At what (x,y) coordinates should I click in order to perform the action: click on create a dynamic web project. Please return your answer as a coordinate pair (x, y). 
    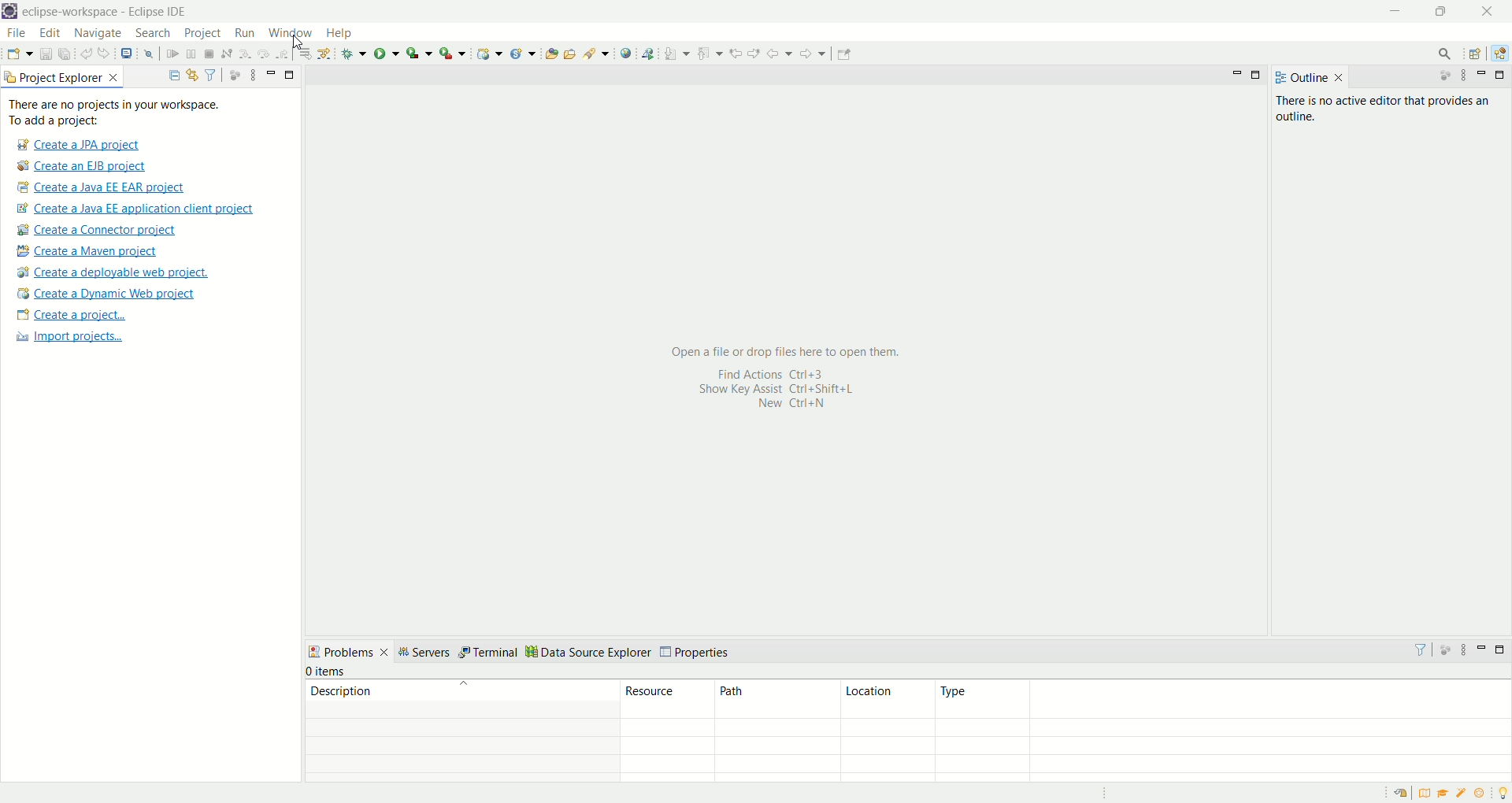
    Looking at the image, I should click on (488, 54).